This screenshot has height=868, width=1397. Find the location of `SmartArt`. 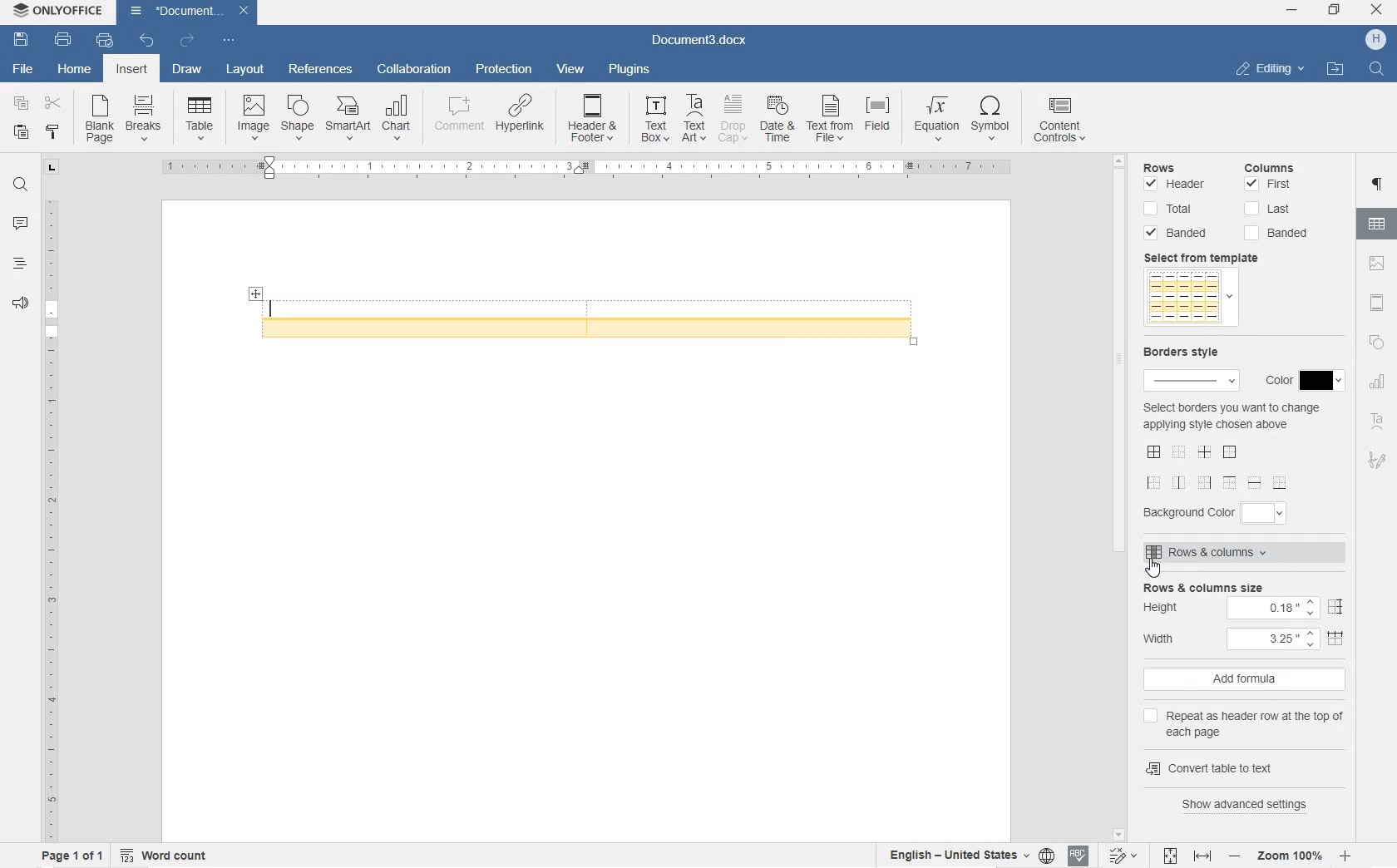

SmartArt is located at coordinates (347, 120).